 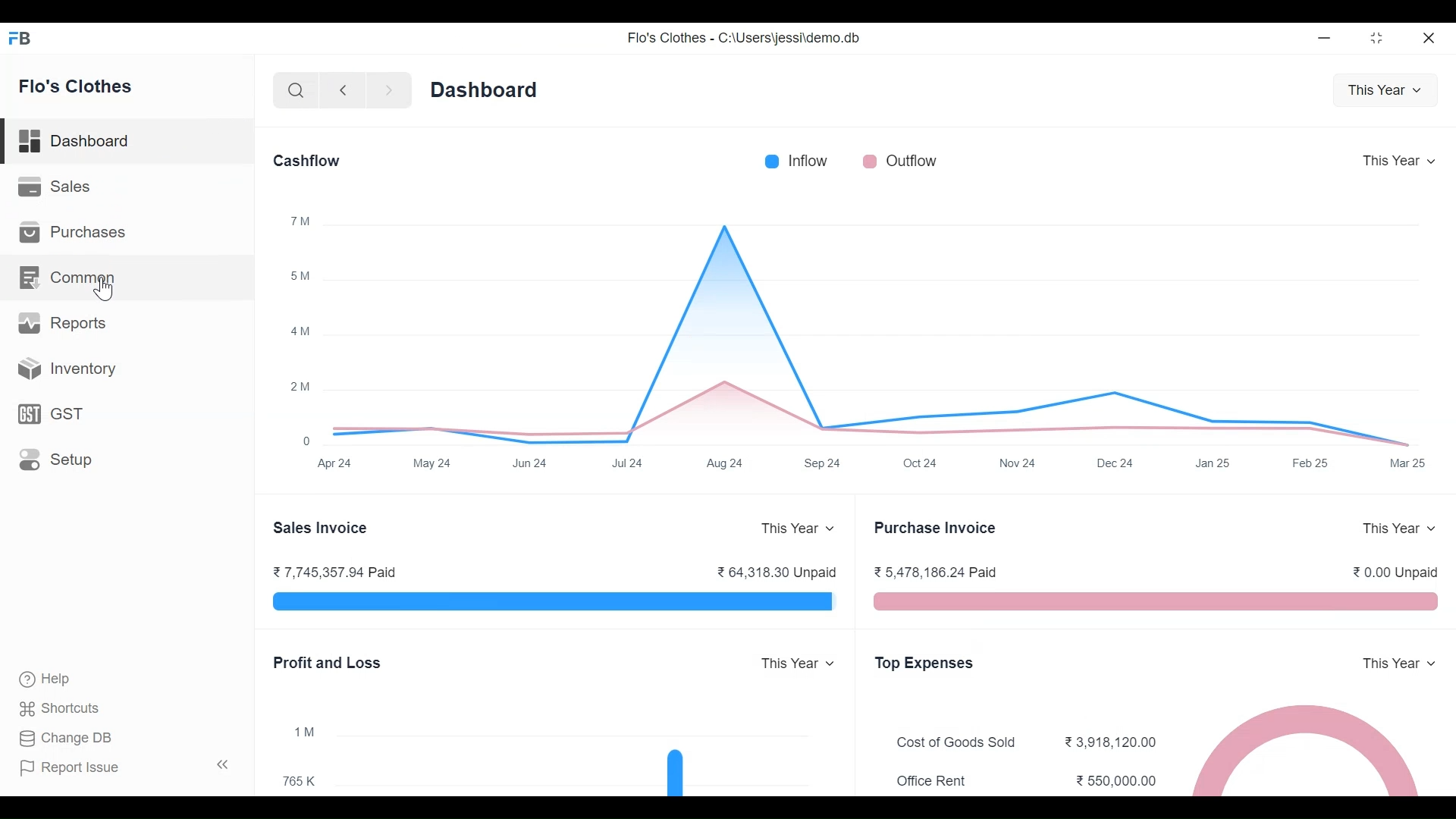 I want to click on Navigate Forward, so click(x=389, y=91).